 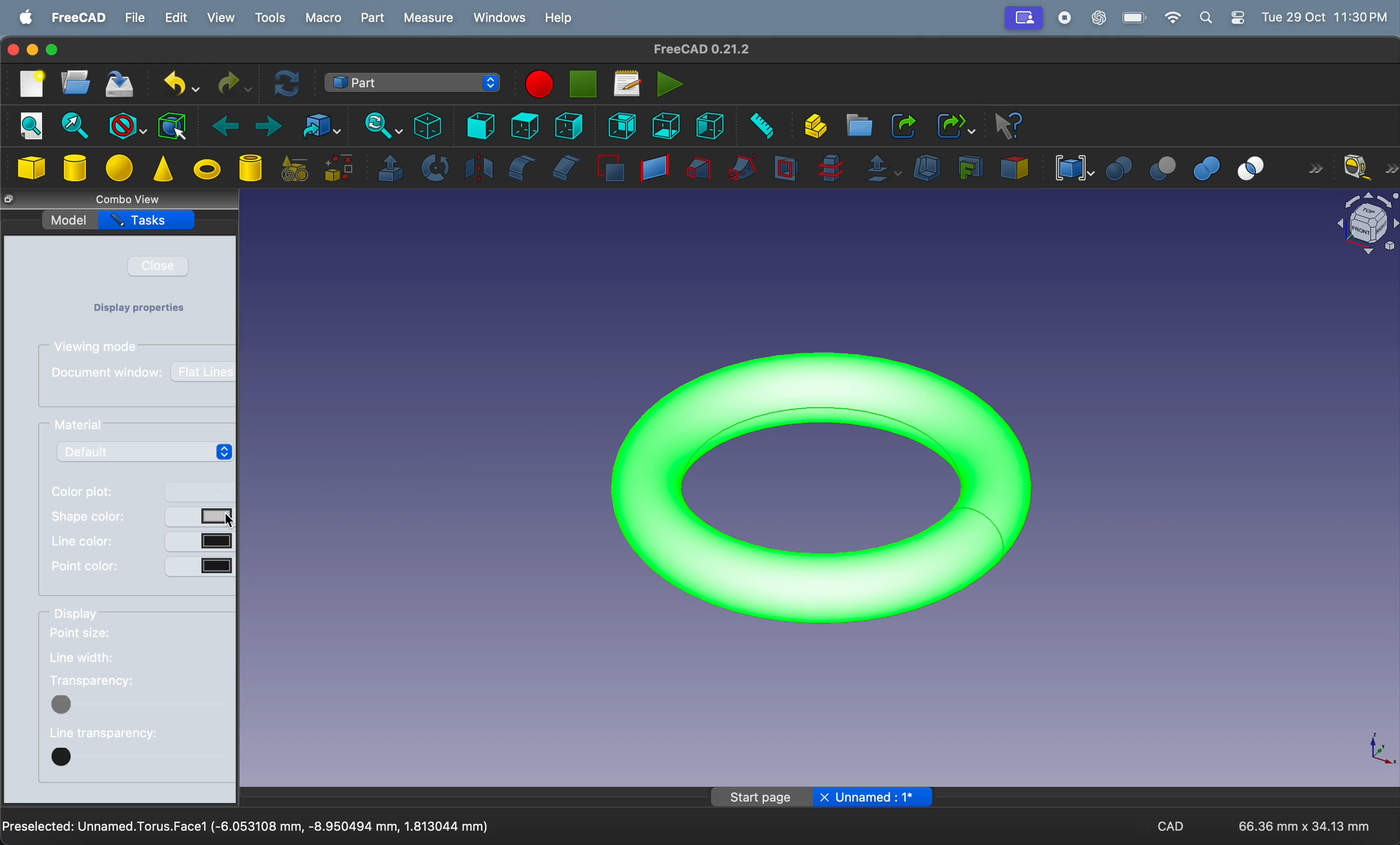 What do you see at coordinates (341, 169) in the screenshot?
I see `shape builder` at bounding box center [341, 169].